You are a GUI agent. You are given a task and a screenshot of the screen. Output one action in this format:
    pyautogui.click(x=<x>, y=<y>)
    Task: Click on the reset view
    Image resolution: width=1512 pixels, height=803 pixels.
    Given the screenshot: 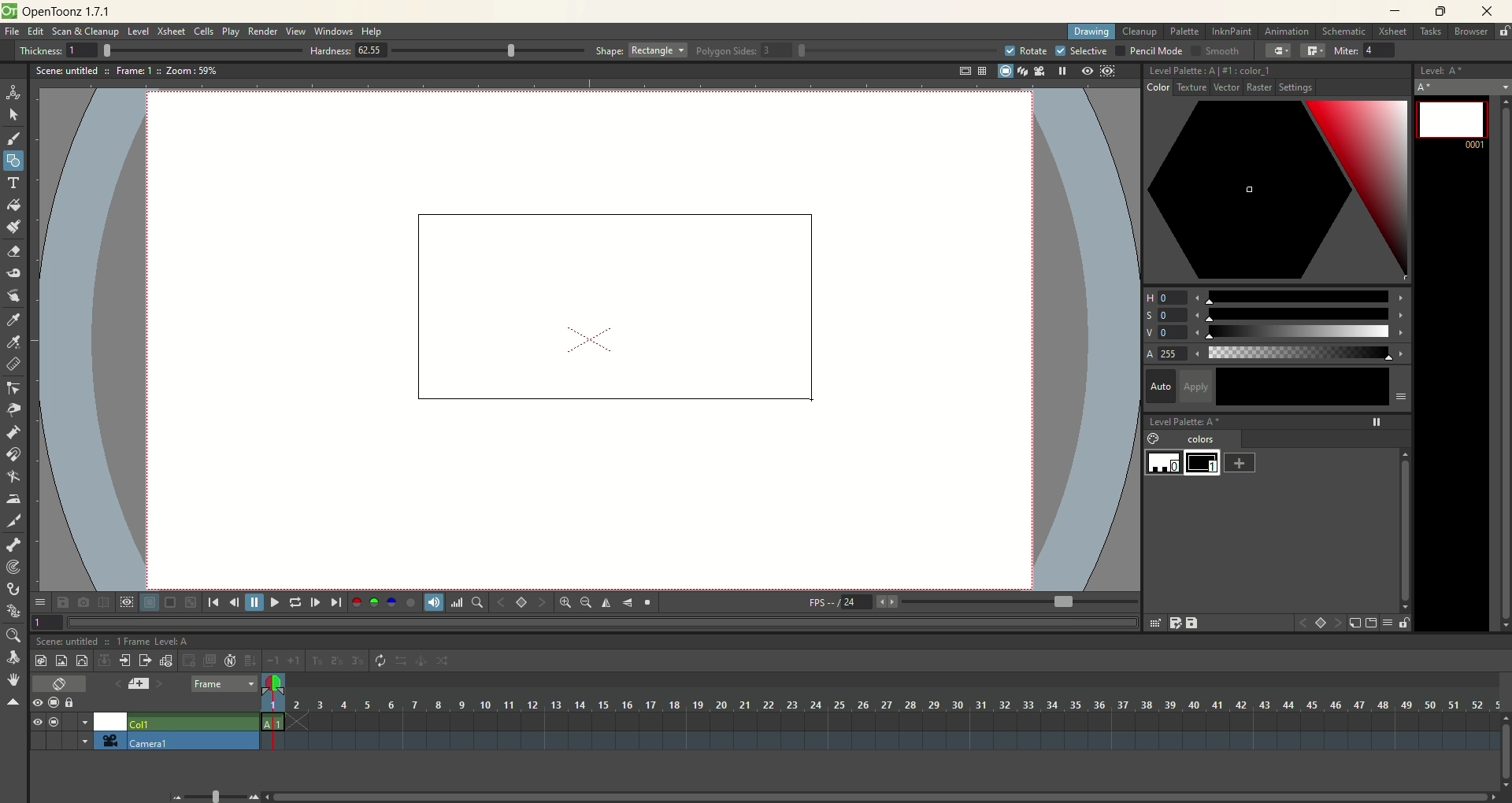 What is the action you would take?
    pyautogui.click(x=649, y=603)
    